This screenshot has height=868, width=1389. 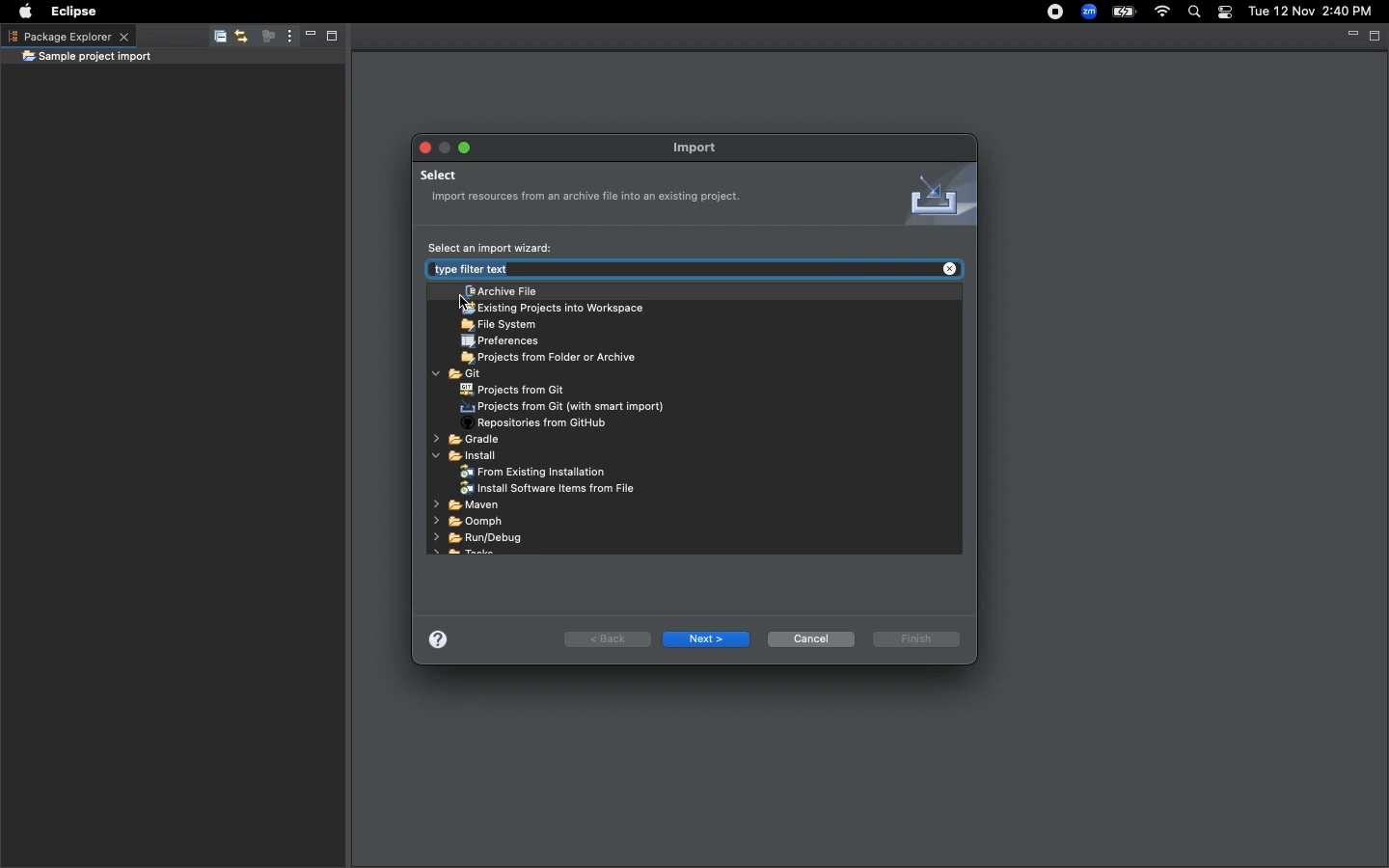 I want to click on Install software items from file, so click(x=551, y=489).